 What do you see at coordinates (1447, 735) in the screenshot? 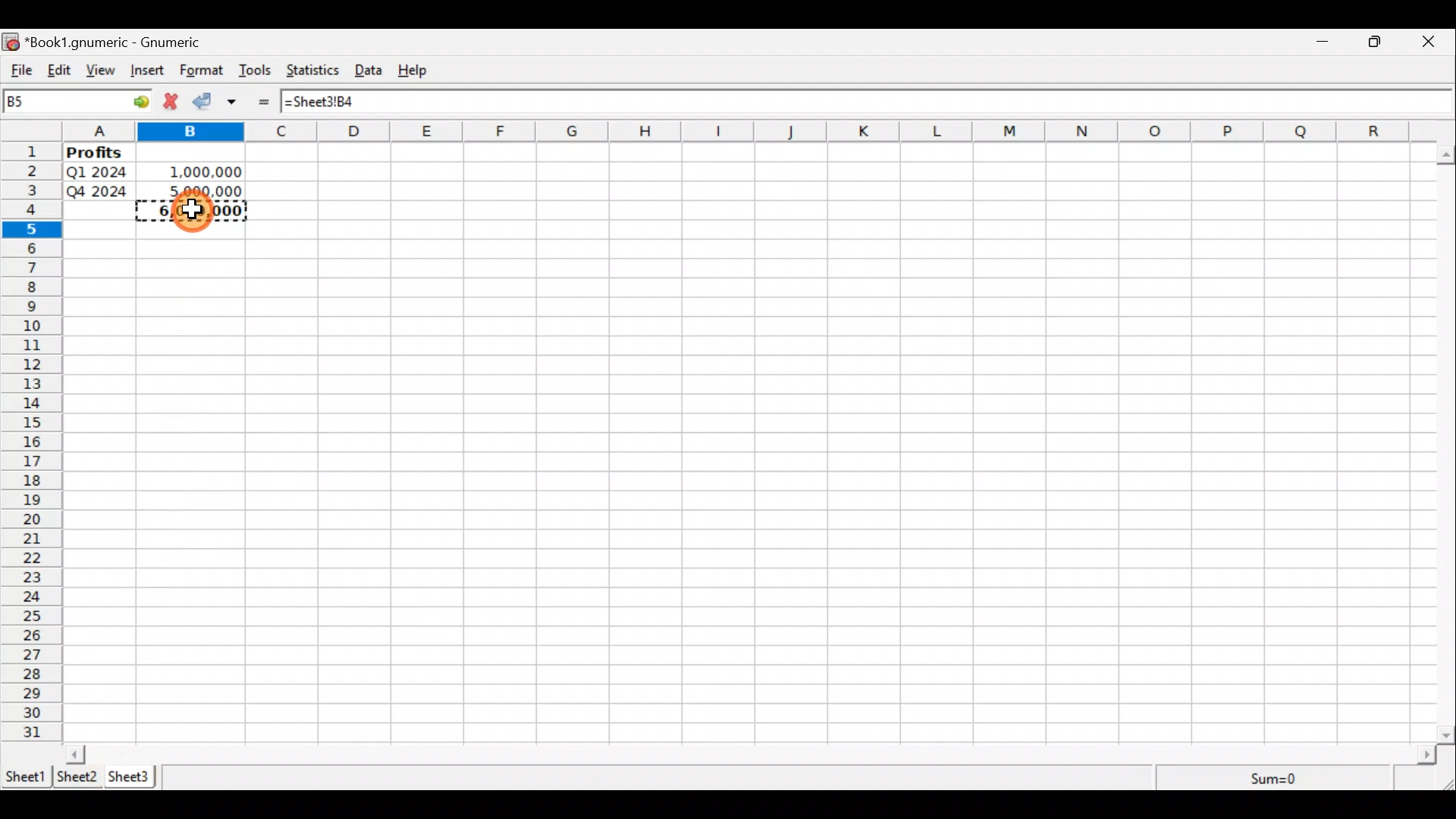
I see `scroll down` at bounding box center [1447, 735].